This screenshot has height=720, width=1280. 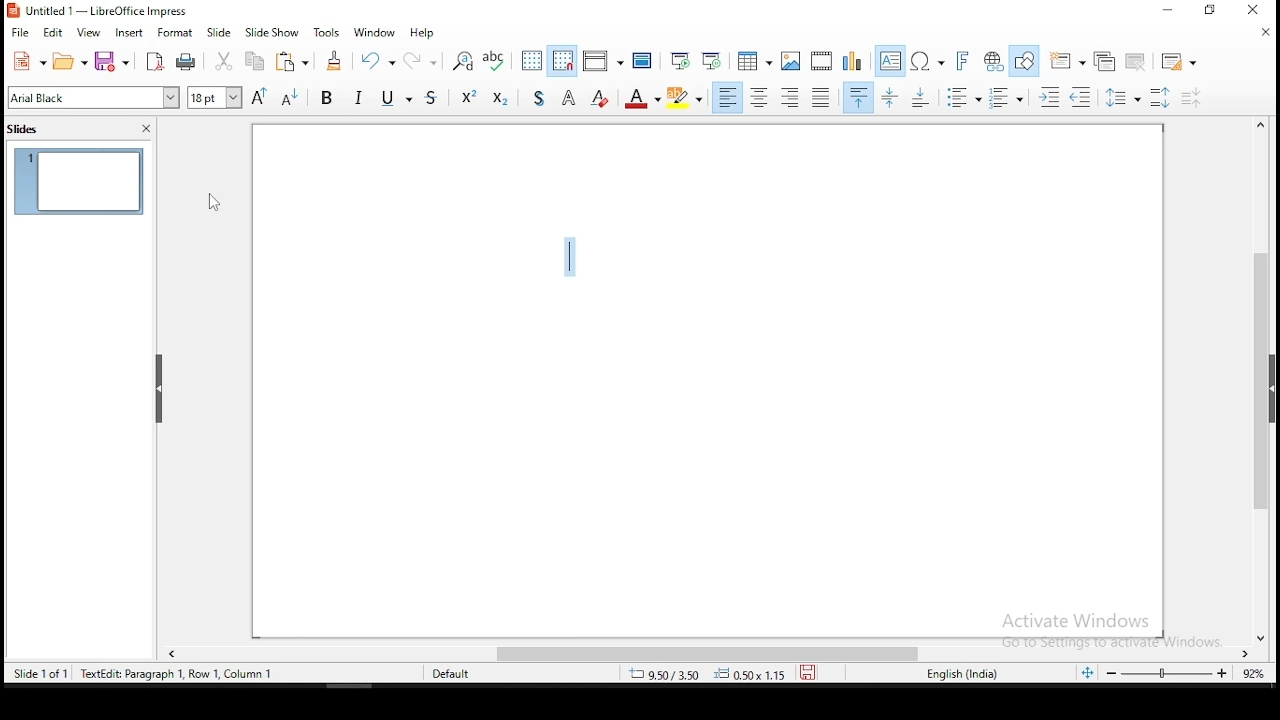 What do you see at coordinates (755, 58) in the screenshot?
I see `table` at bounding box center [755, 58].